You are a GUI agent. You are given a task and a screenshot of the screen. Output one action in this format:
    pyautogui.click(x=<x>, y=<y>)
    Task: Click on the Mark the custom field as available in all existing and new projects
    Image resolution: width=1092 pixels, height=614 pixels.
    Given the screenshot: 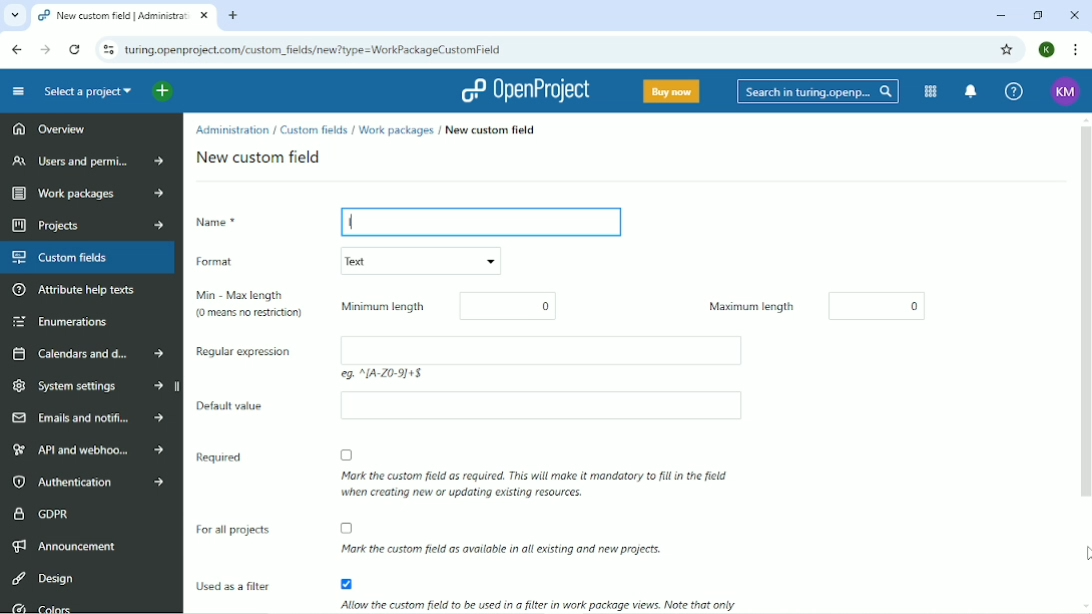 What is the action you would take?
    pyautogui.click(x=505, y=537)
    